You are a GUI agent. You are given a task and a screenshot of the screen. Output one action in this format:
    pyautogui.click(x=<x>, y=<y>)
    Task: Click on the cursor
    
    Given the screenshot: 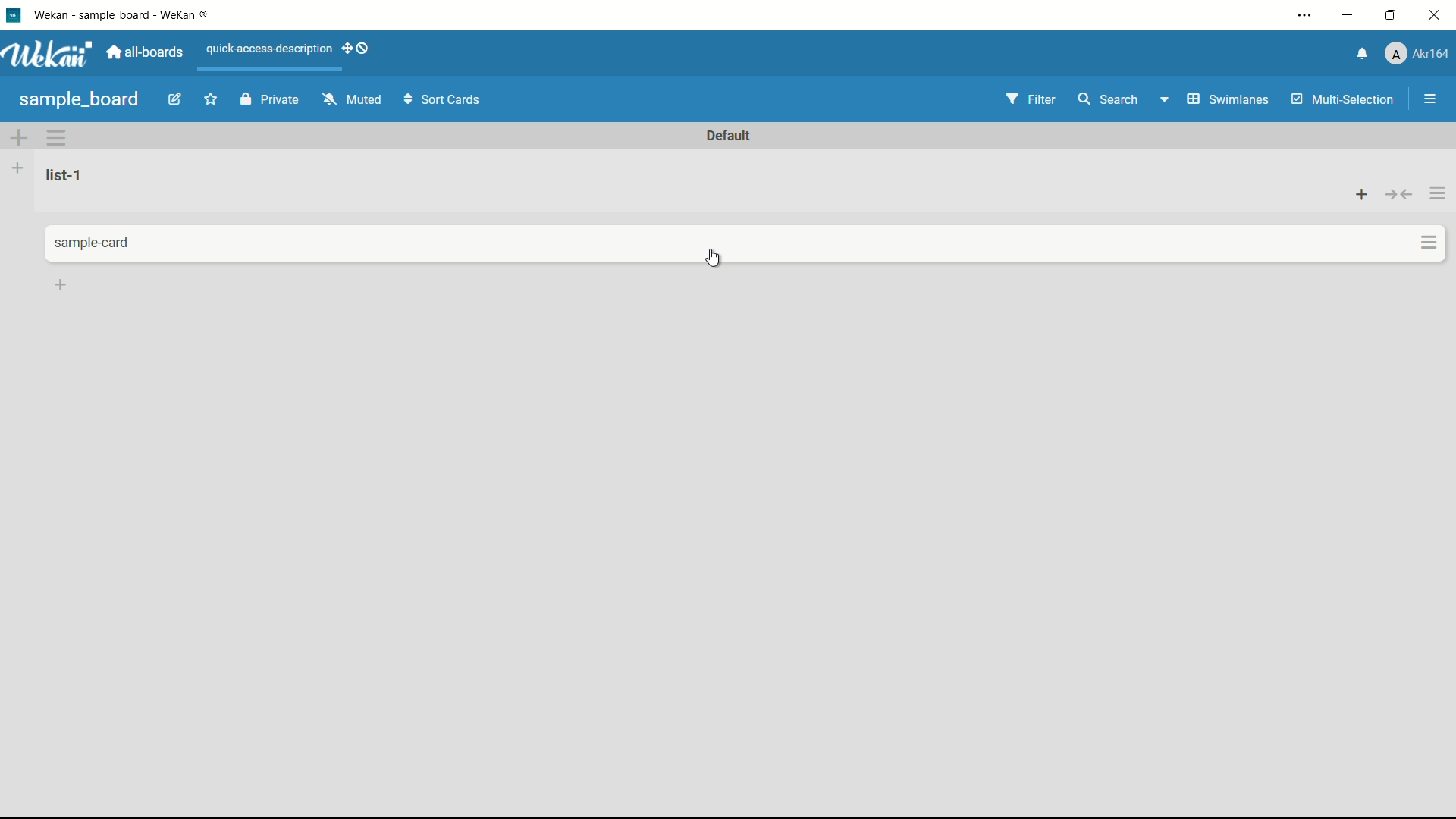 What is the action you would take?
    pyautogui.click(x=714, y=259)
    